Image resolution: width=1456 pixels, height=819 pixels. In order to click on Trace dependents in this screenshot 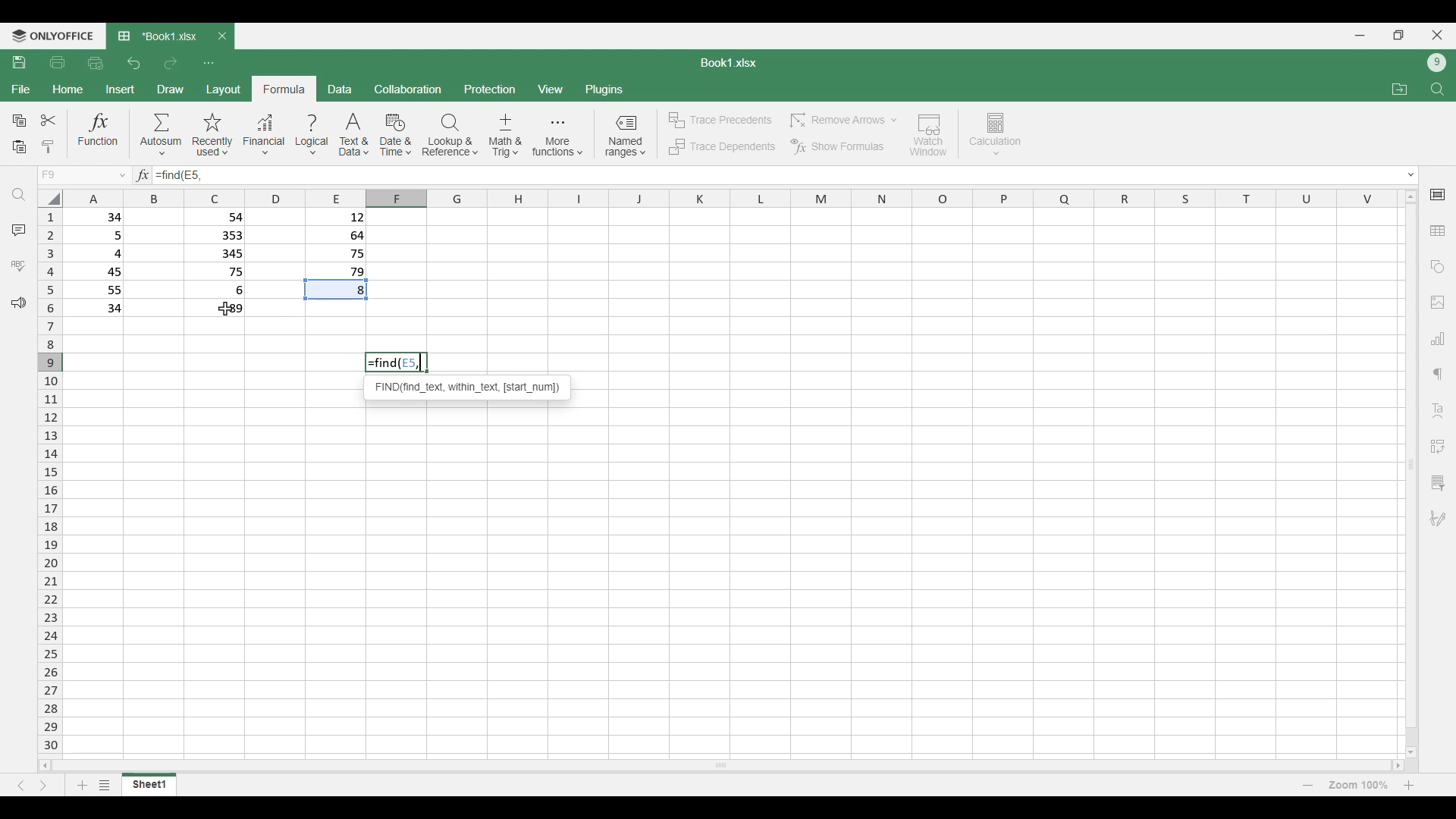, I will do `click(721, 147)`.